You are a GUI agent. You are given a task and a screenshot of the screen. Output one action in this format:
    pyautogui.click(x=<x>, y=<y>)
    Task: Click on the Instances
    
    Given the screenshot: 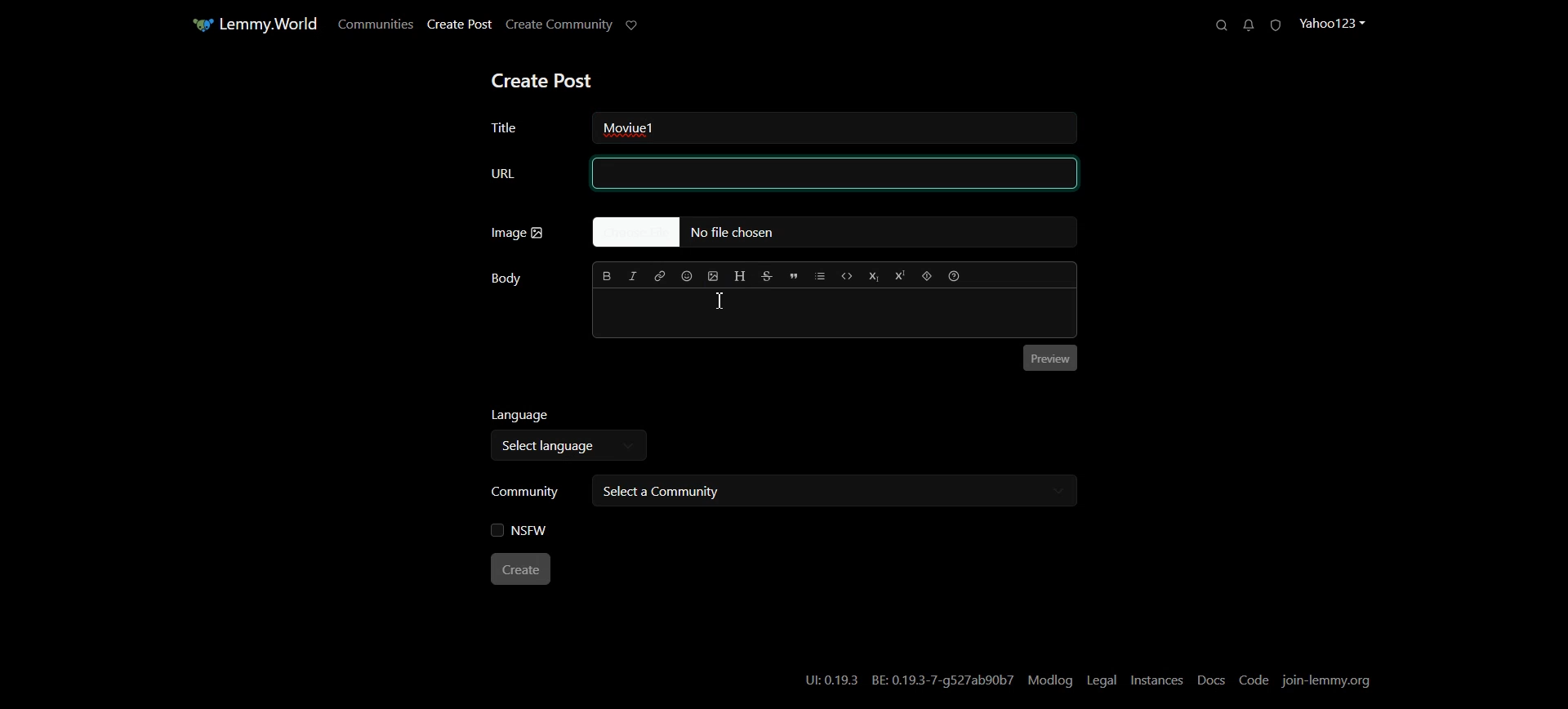 What is the action you would take?
    pyautogui.click(x=1157, y=680)
    